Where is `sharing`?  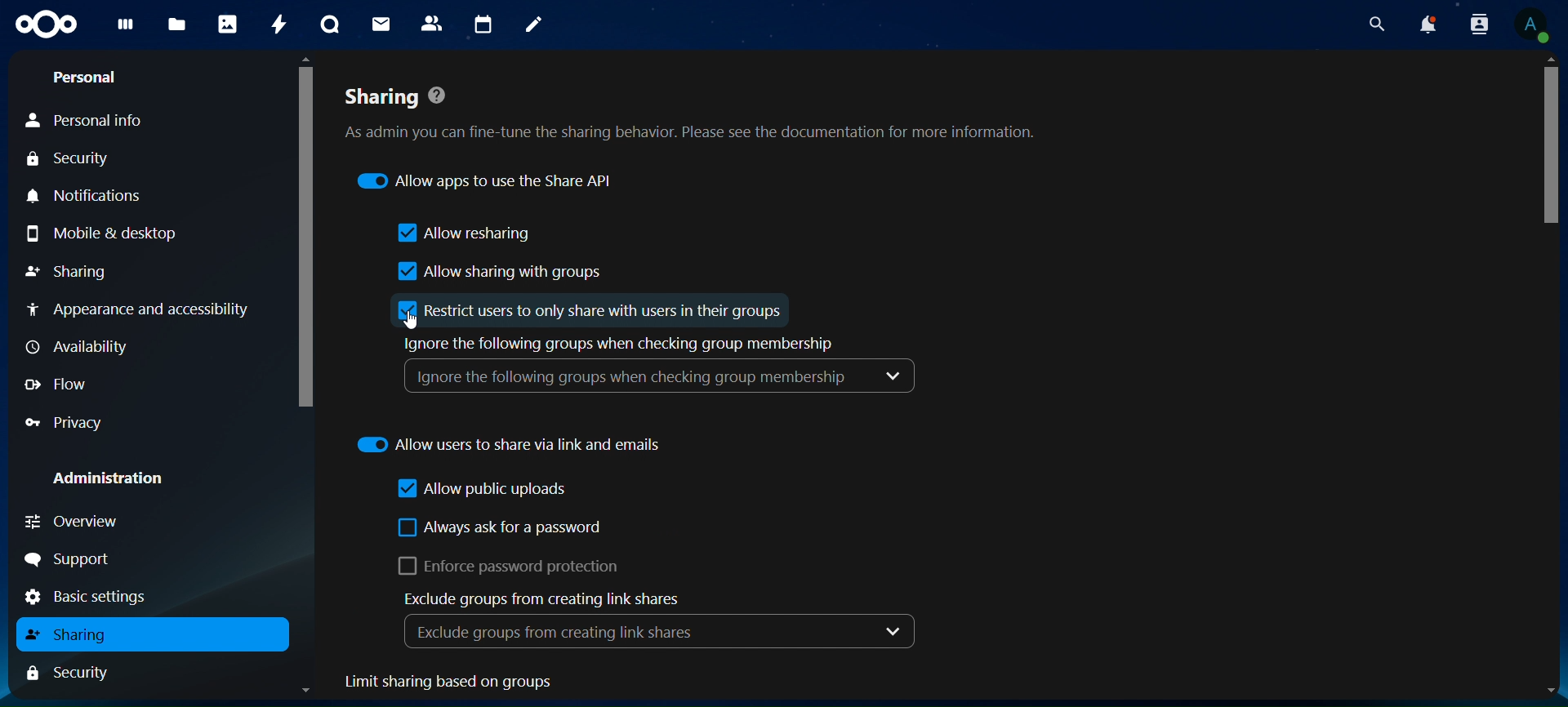 sharing is located at coordinates (74, 271).